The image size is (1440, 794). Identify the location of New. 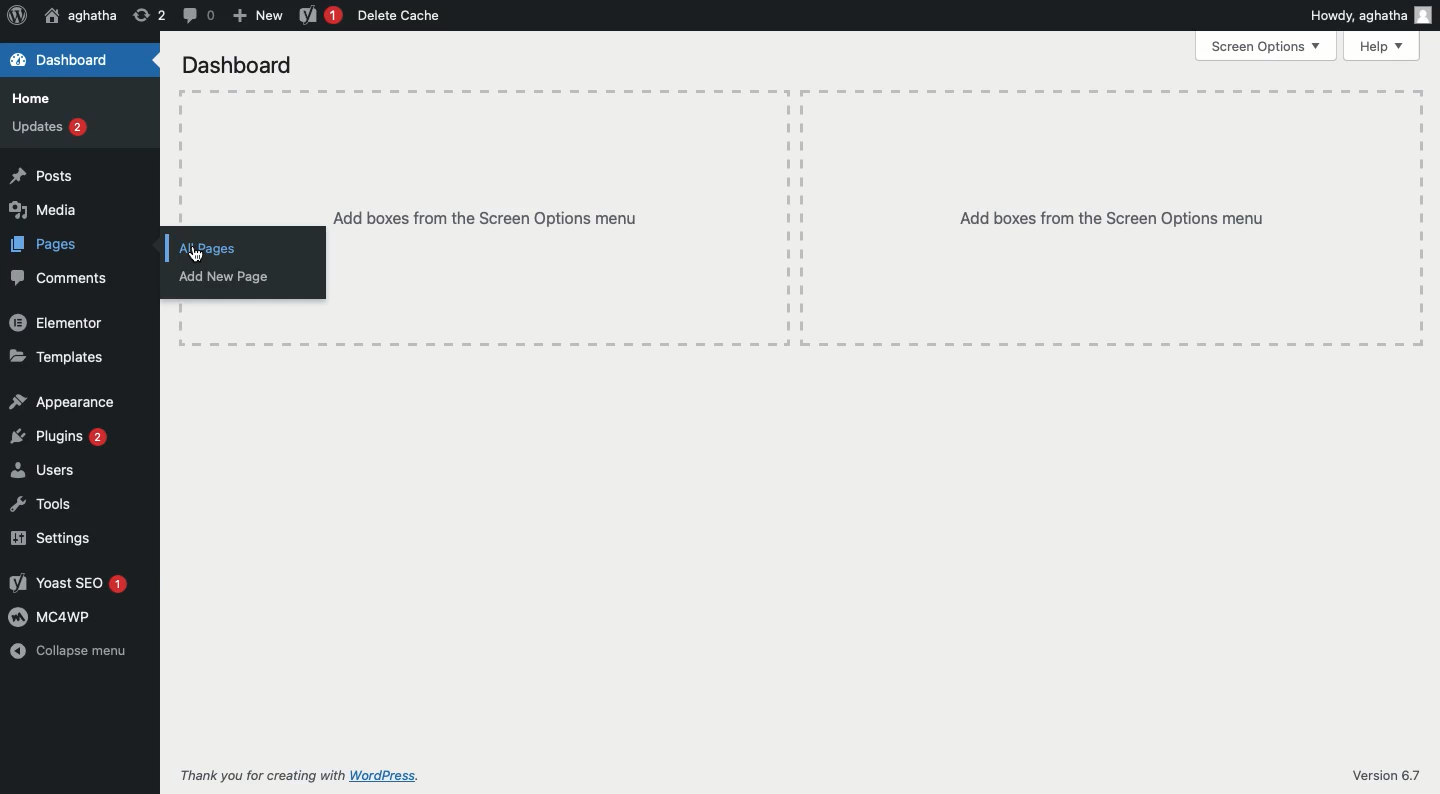
(258, 13).